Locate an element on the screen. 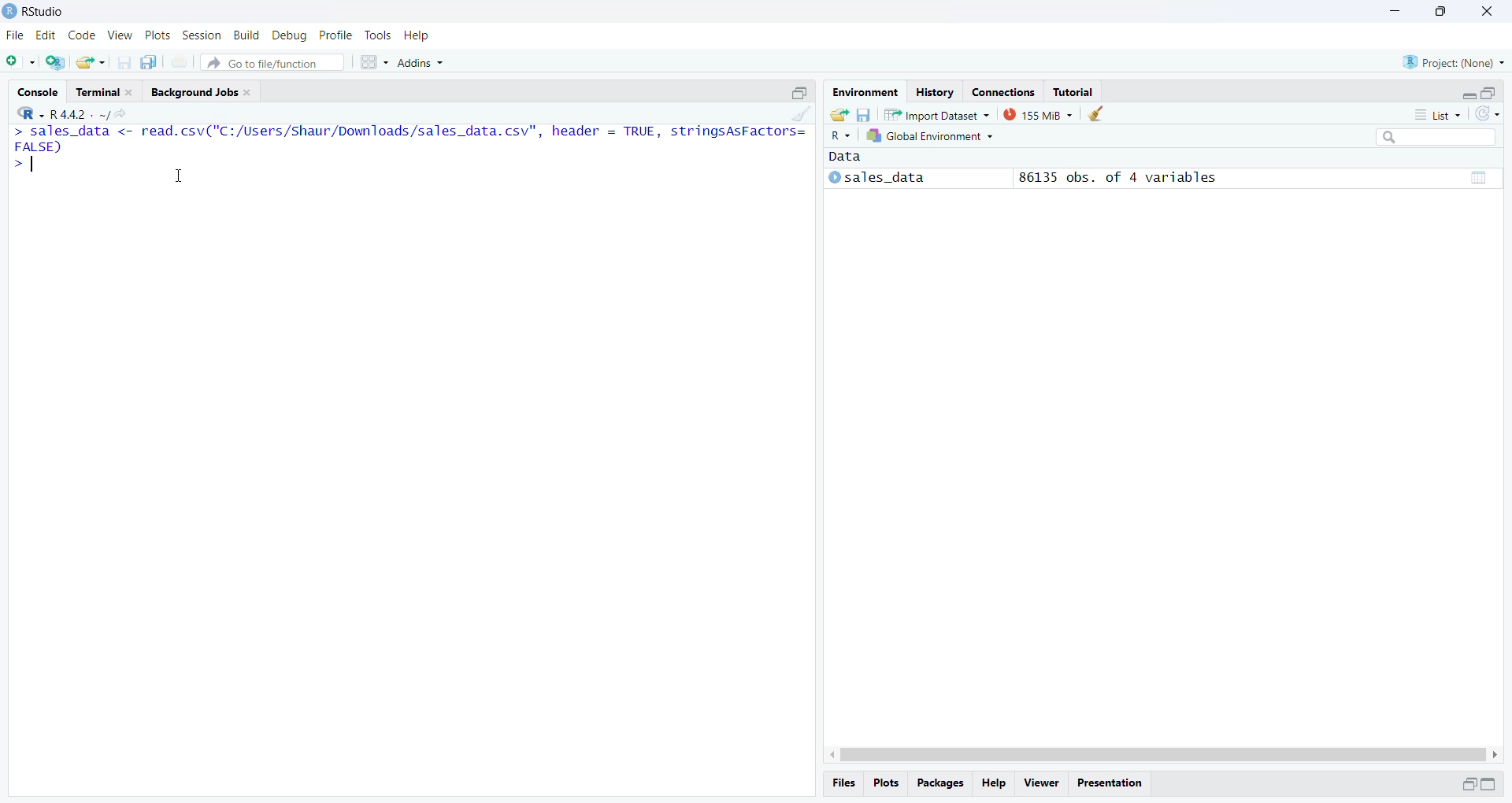 The height and width of the screenshot is (803, 1512). right bar is located at coordinates (1499, 754).